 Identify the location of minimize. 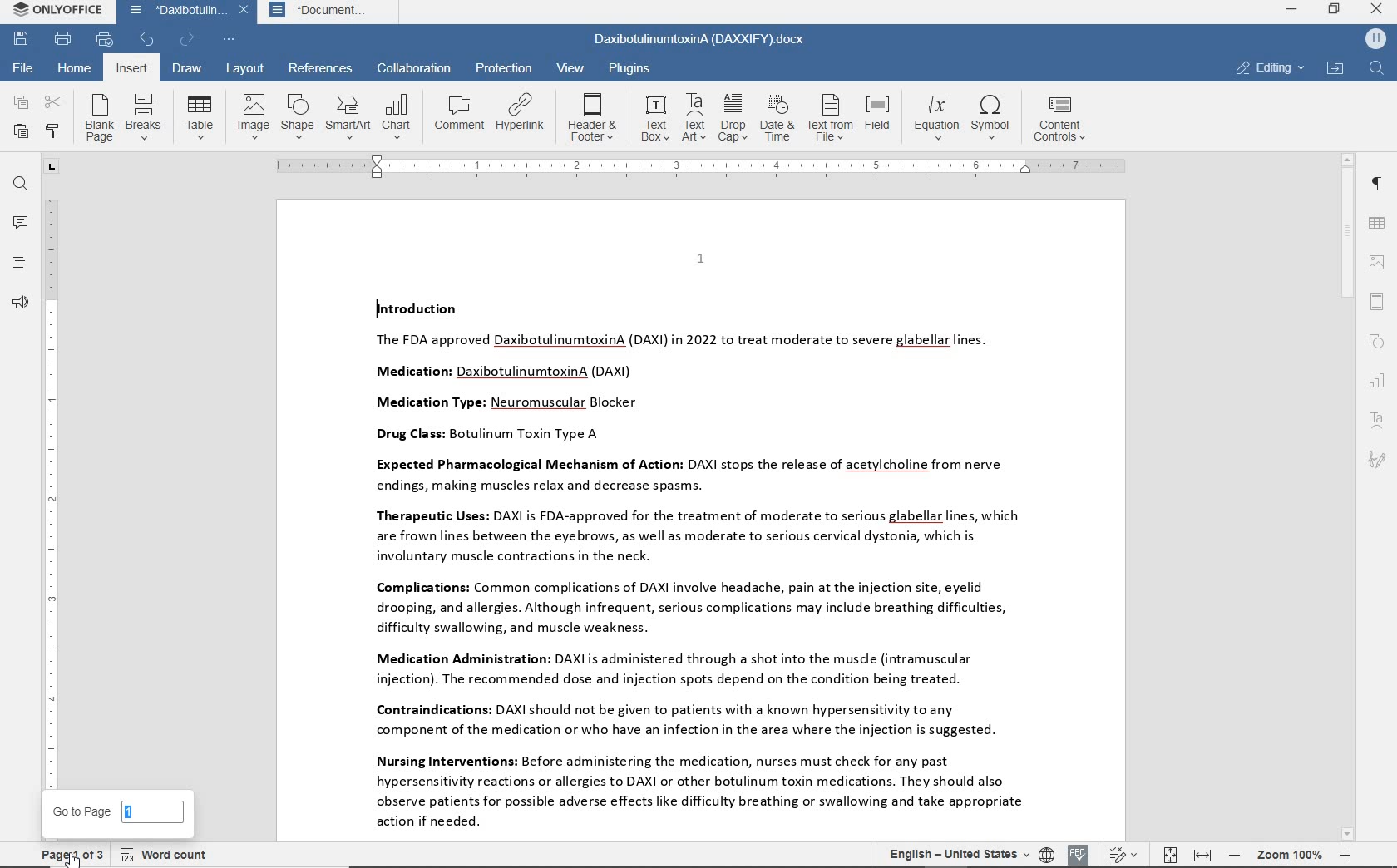
(1292, 8).